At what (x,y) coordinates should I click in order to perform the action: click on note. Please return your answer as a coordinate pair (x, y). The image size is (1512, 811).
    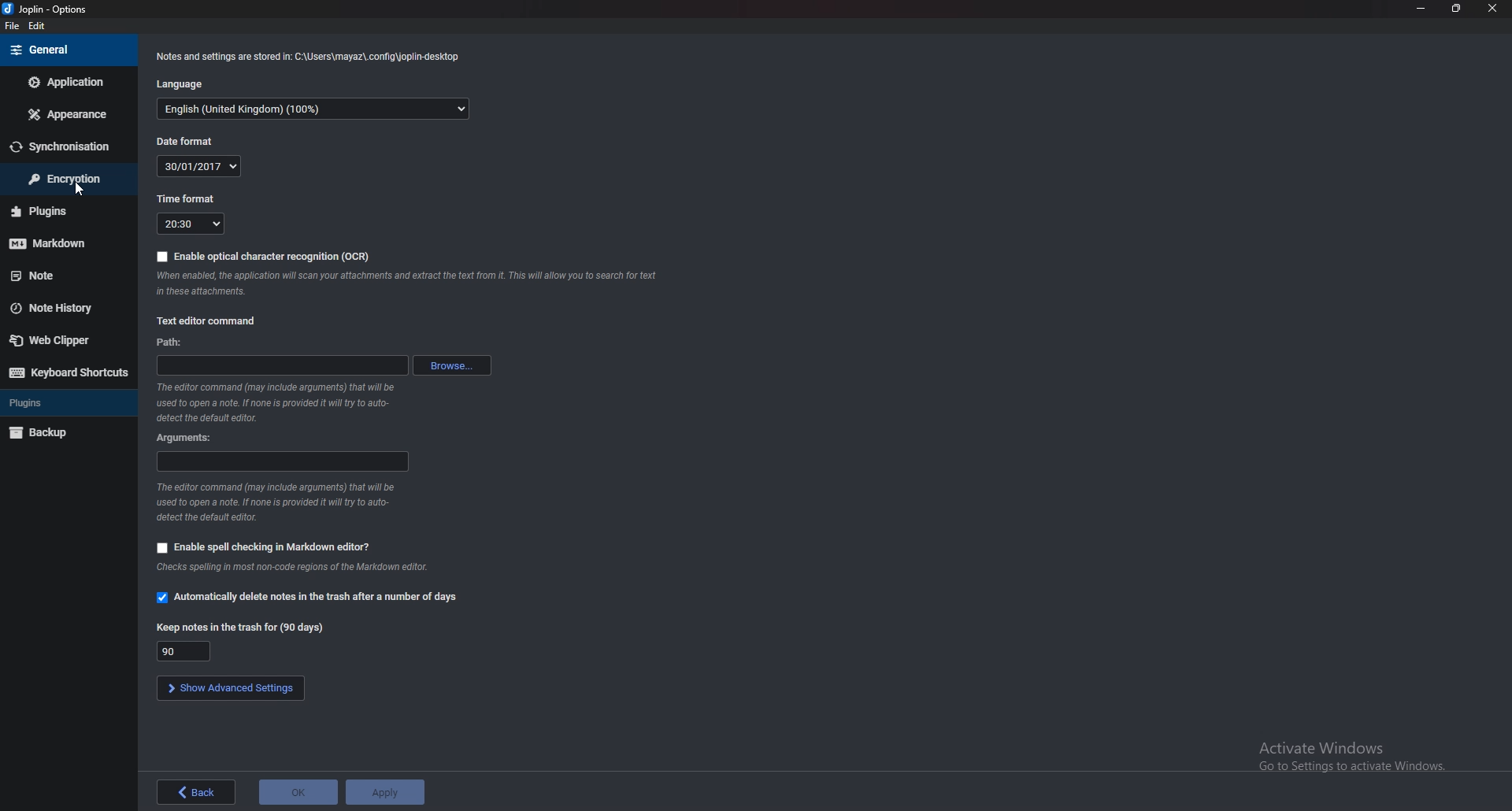
    Looking at the image, I should click on (64, 275).